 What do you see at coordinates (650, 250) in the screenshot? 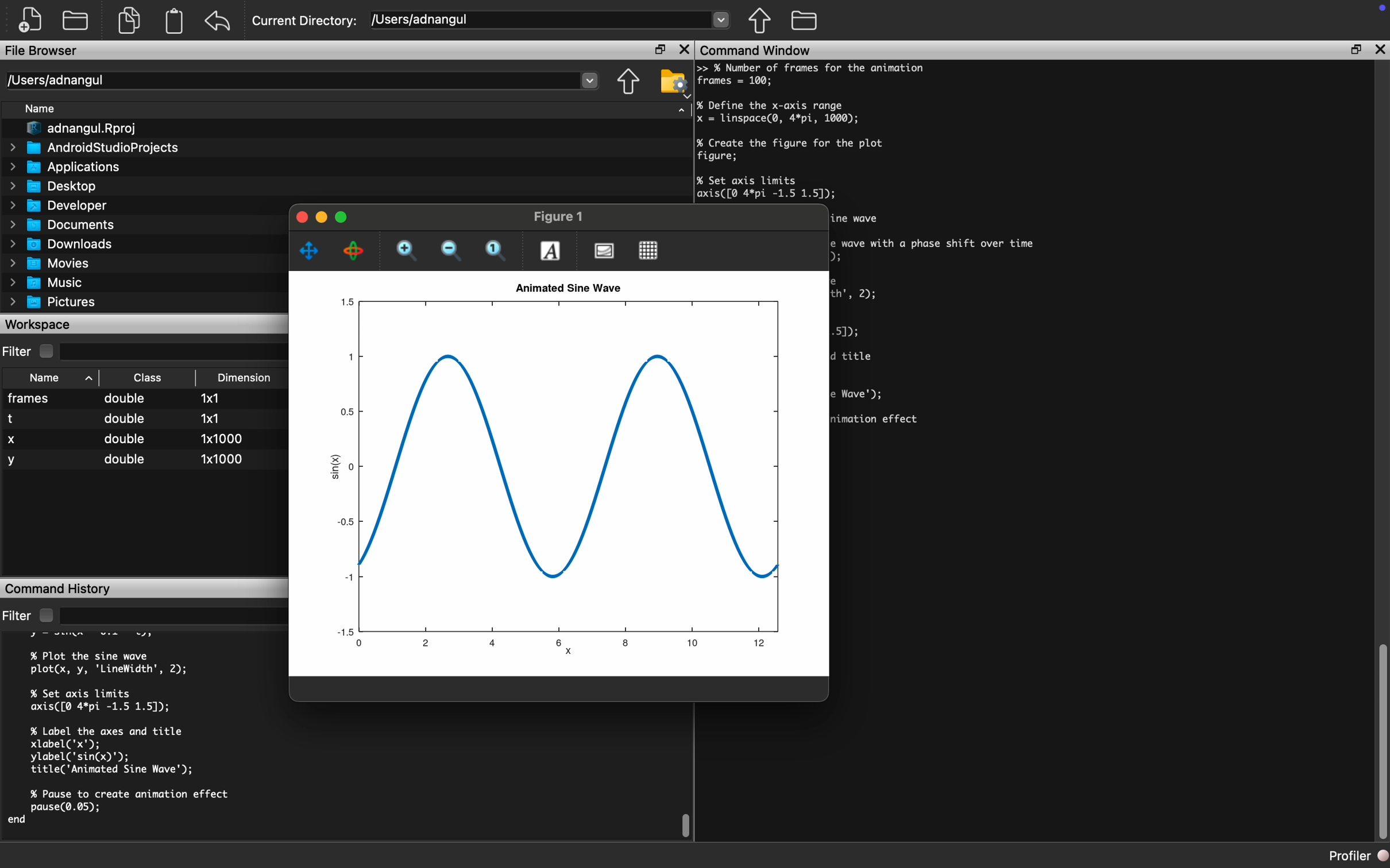
I see `Show Grid` at bounding box center [650, 250].